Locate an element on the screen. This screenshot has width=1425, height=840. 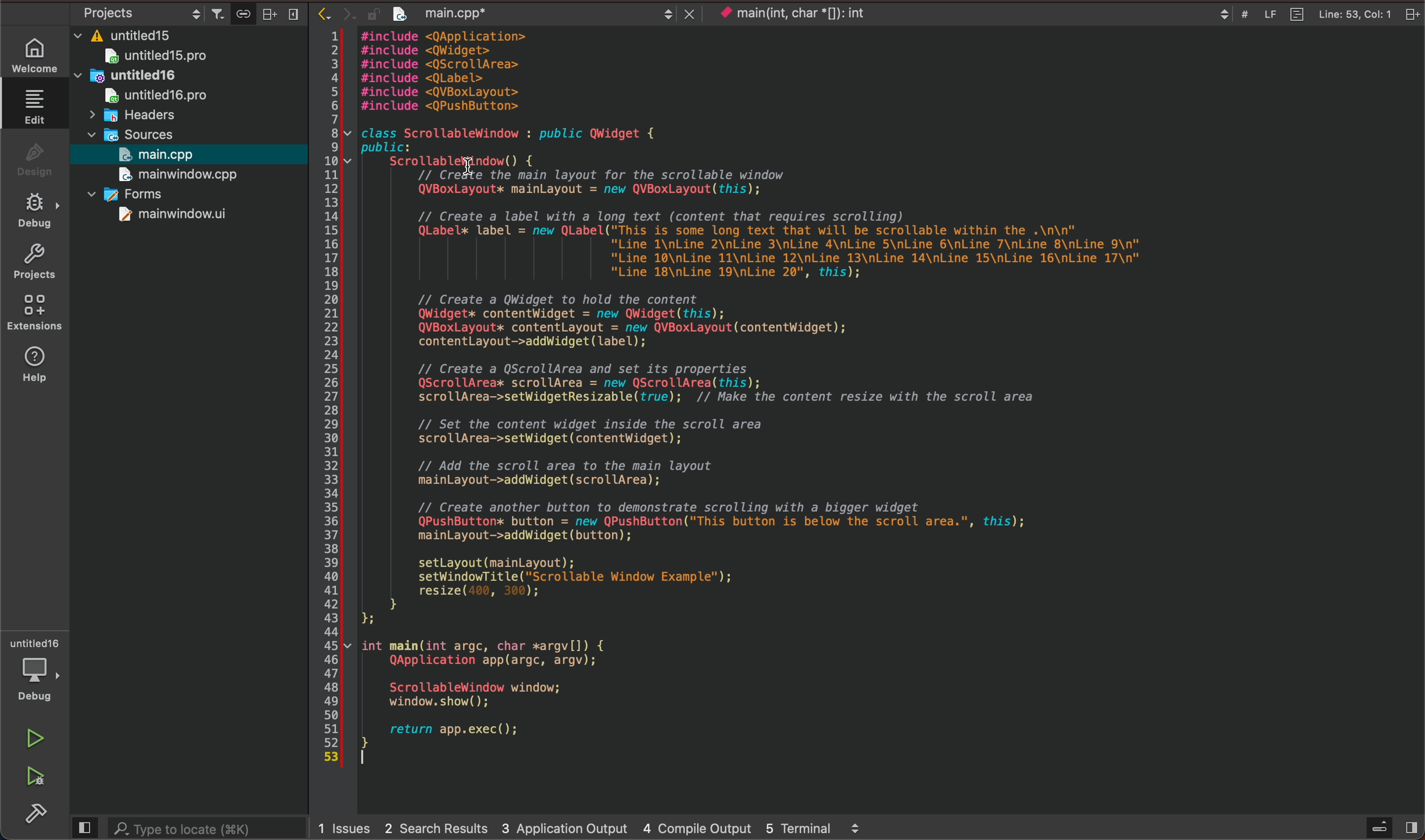
sources is located at coordinates (140, 133).